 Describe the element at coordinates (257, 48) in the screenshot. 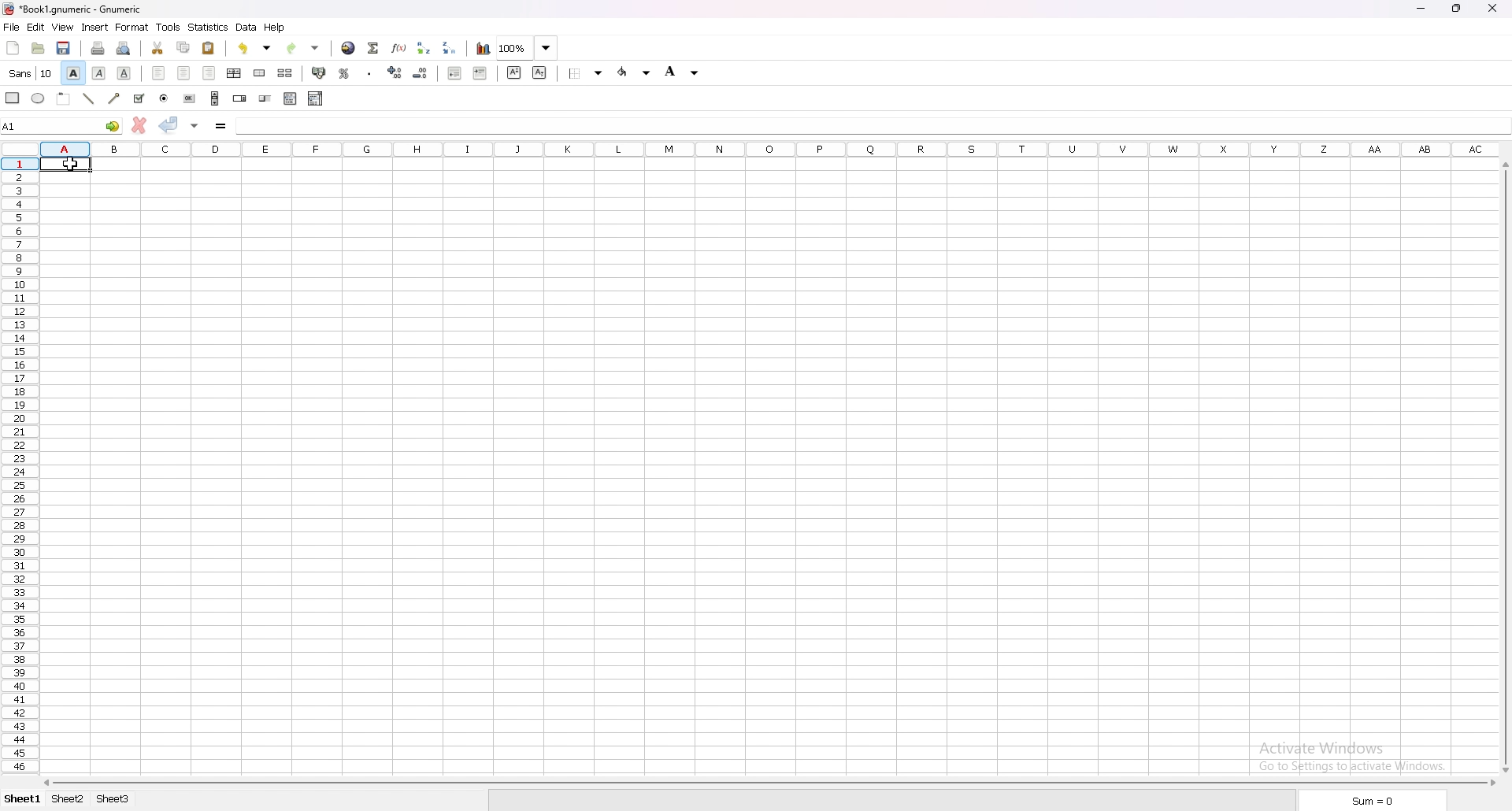

I see `undo` at that location.